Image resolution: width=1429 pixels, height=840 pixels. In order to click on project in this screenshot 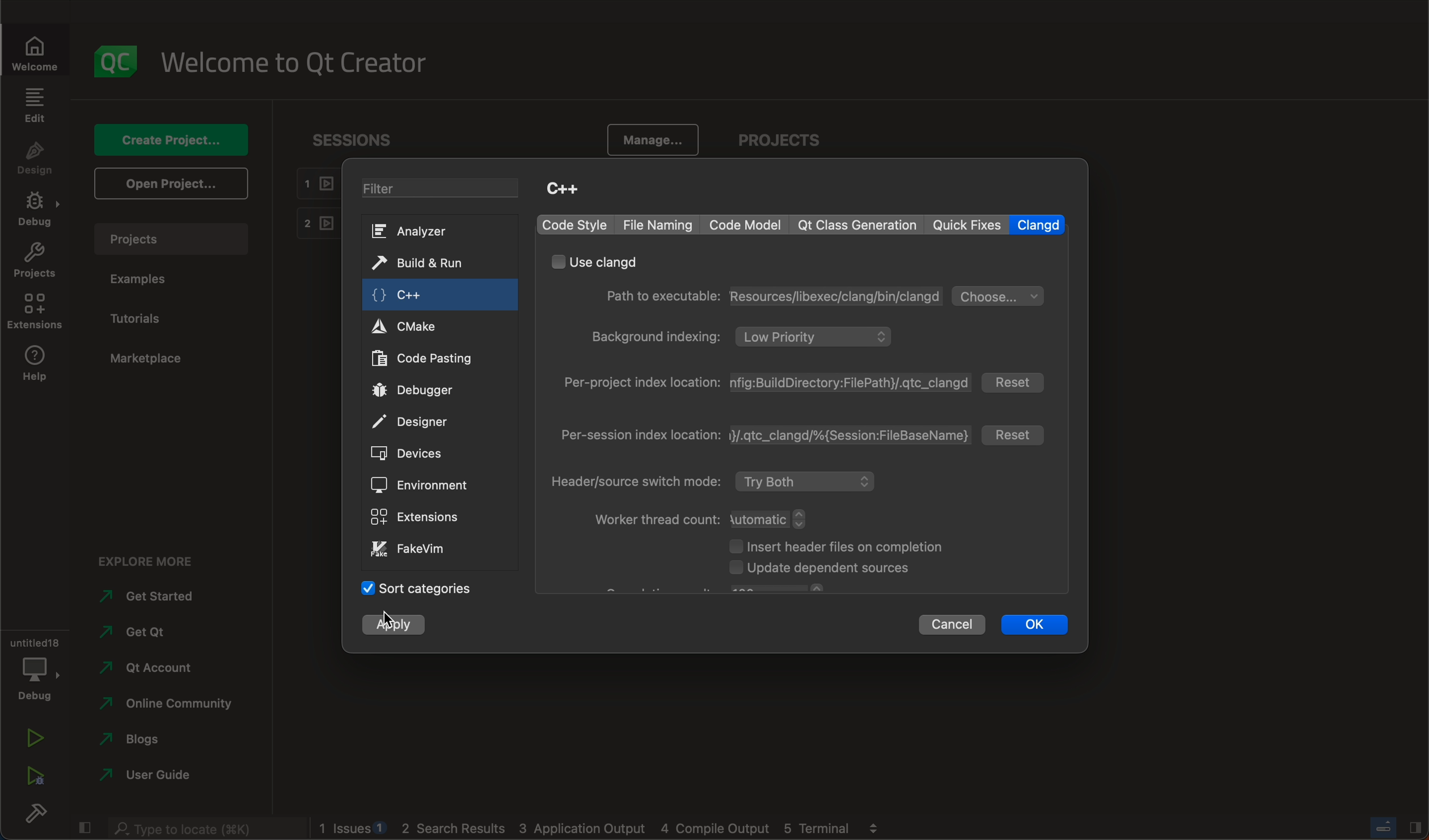, I will do `click(34, 263)`.